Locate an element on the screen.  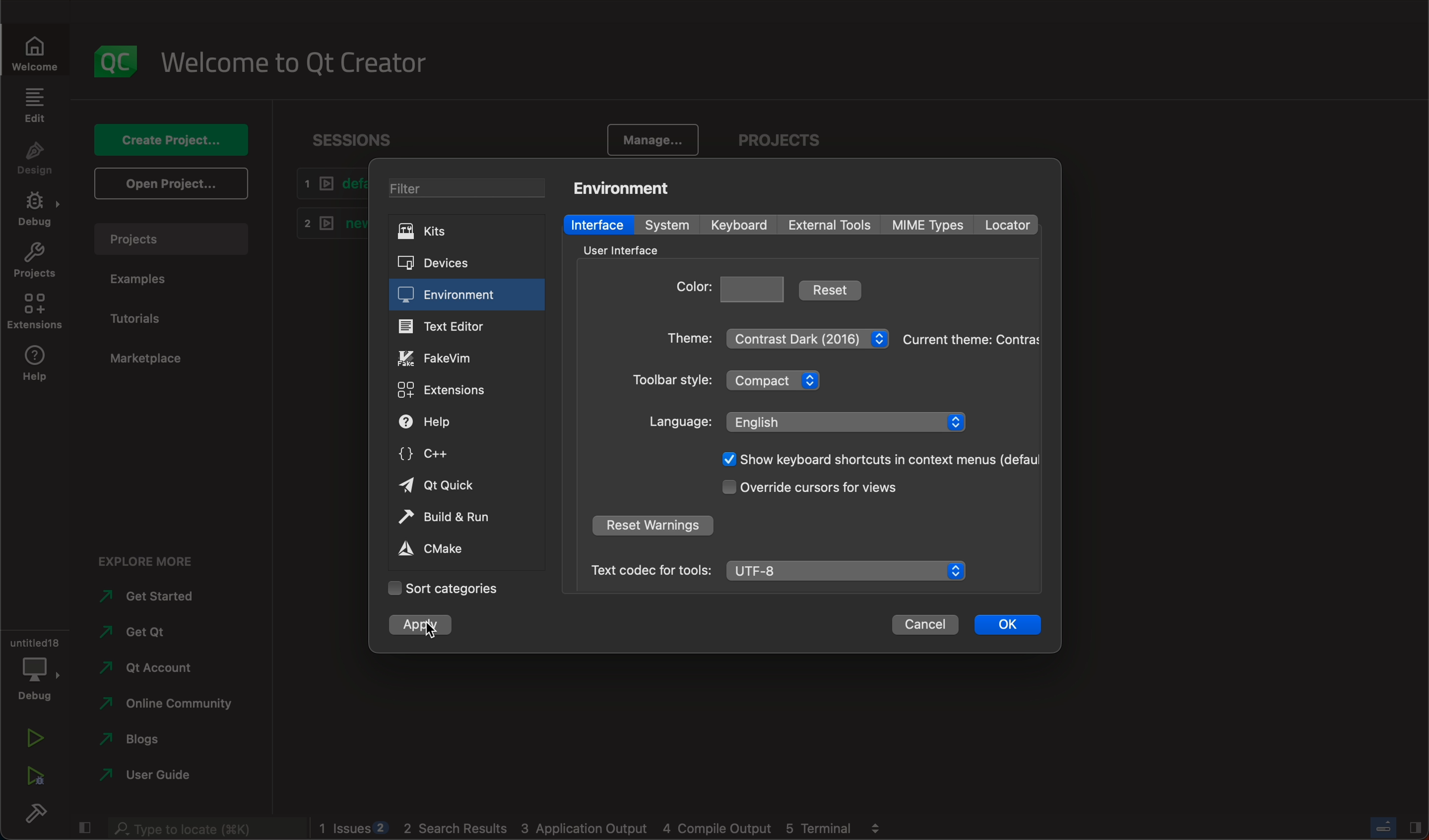
community is located at coordinates (166, 705).